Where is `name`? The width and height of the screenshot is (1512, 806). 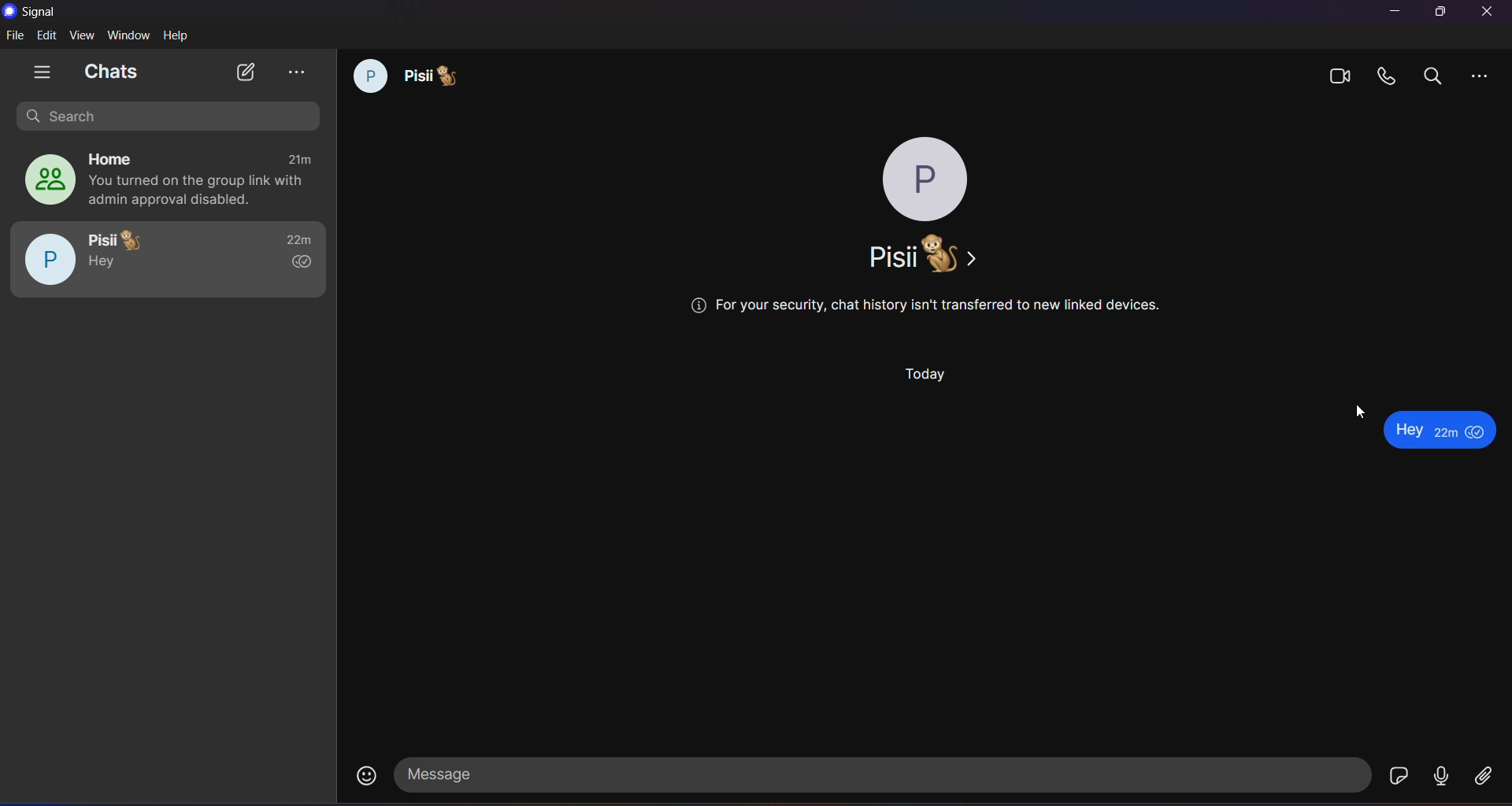 name is located at coordinates (917, 254).